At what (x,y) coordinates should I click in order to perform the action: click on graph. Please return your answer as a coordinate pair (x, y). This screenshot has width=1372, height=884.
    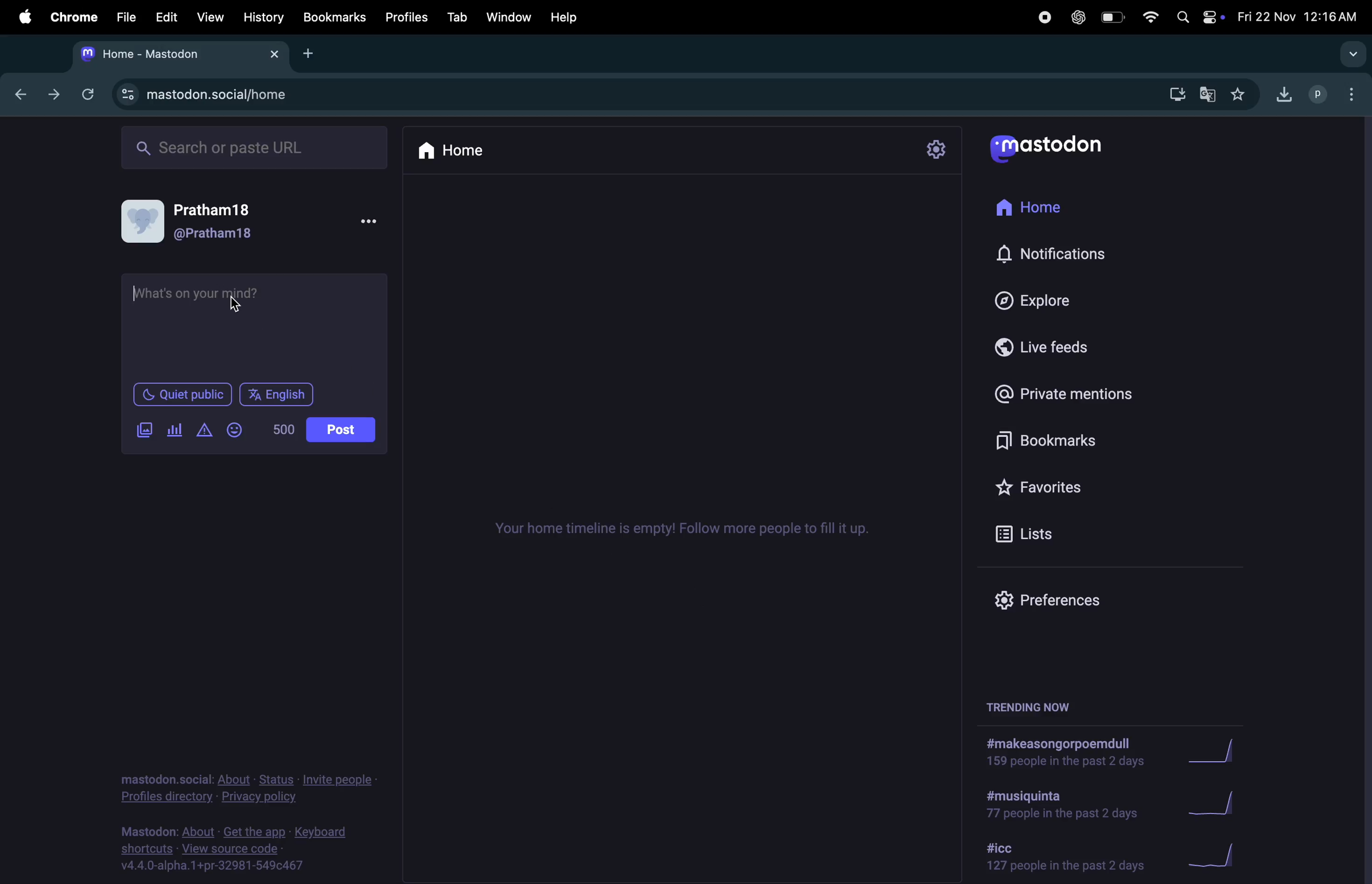
    Looking at the image, I should click on (1219, 859).